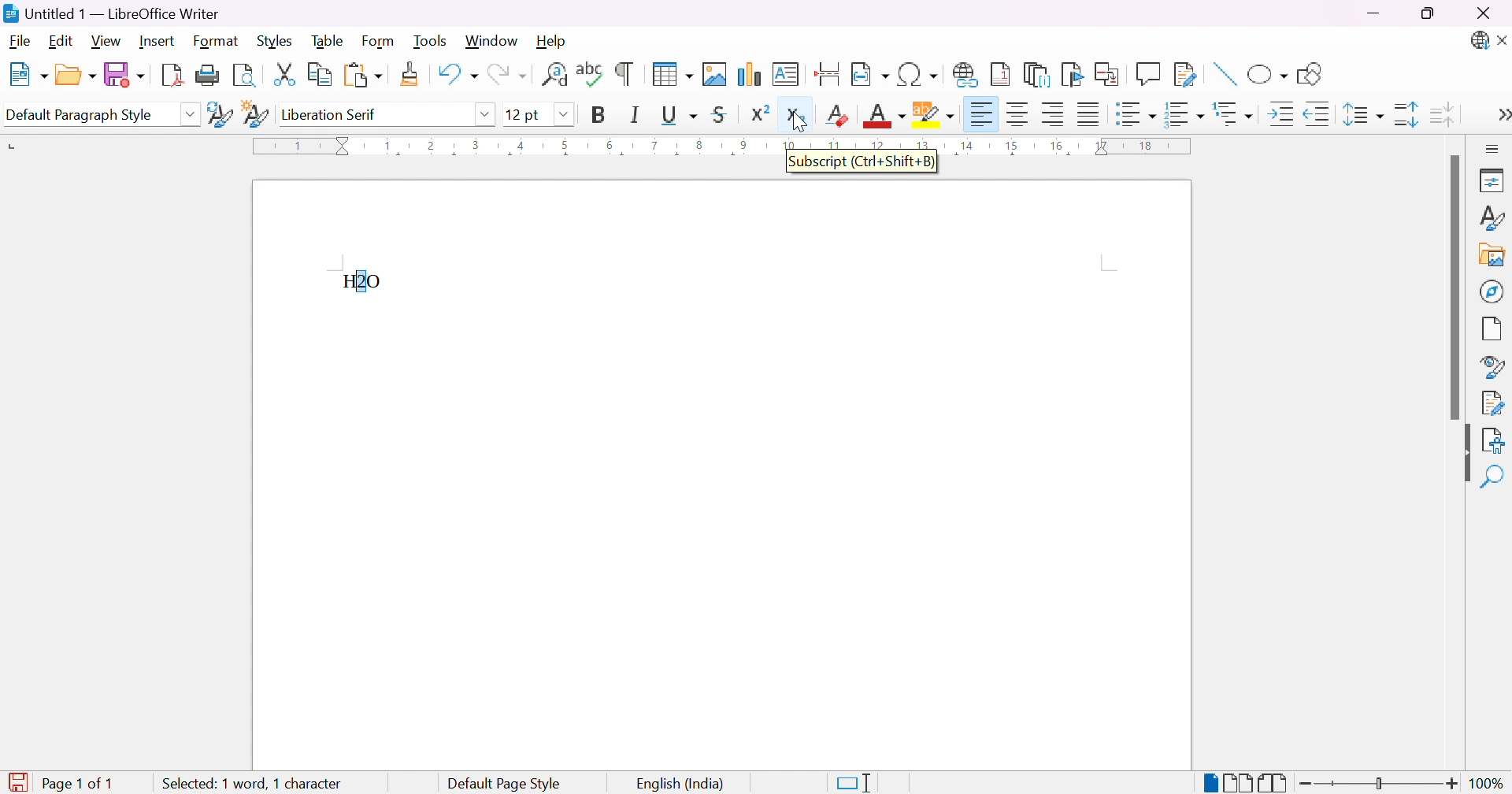  What do you see at coordinates (1492, 368) in the screenshot?
I see `Style inspector` at bounding box center [1492, 368].